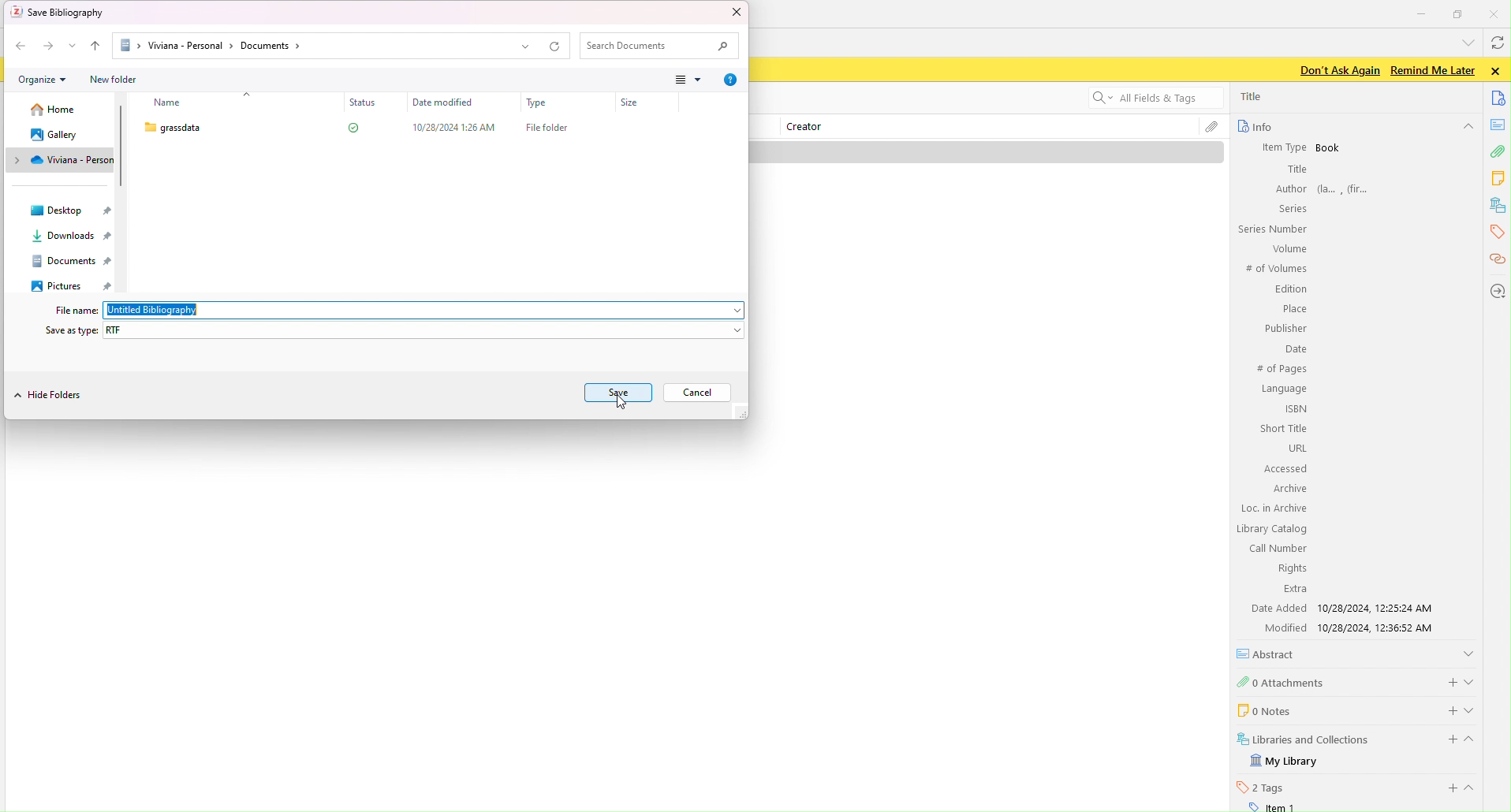  I want to click on Hide Folders, so click(53, 397).